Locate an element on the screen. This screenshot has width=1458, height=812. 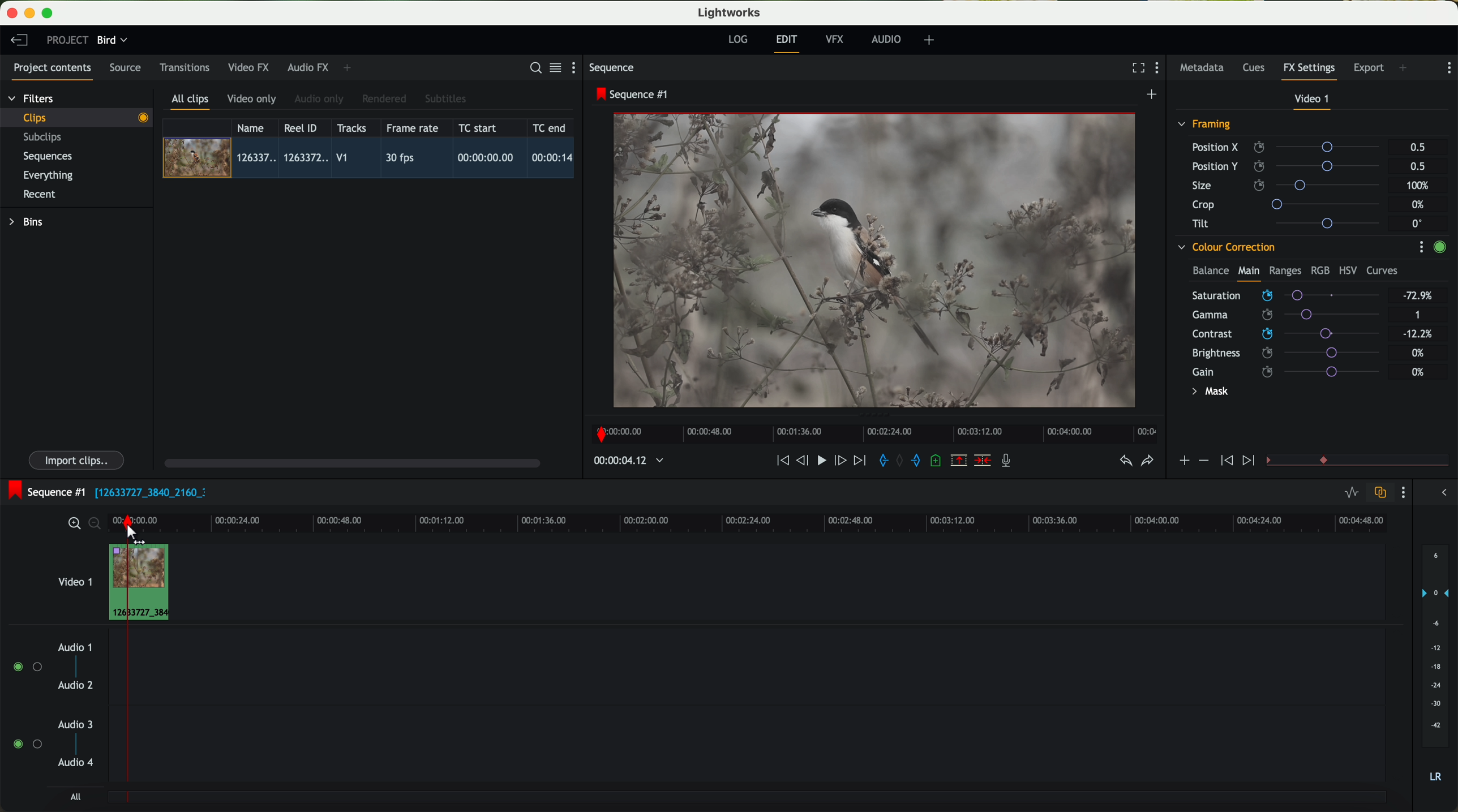
audio 3 is located at coordinates (70, 724).